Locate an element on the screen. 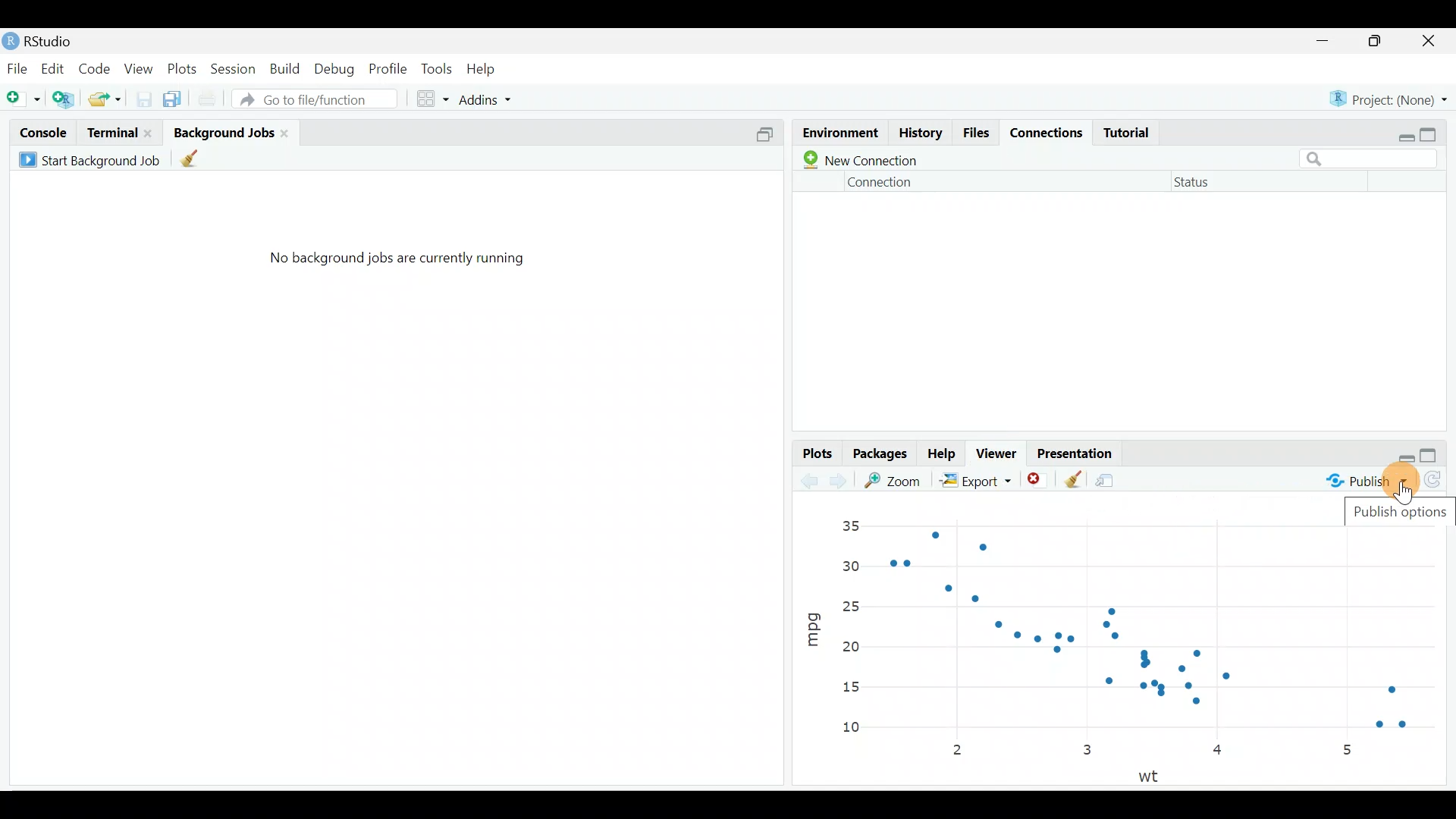  Minimize is located at coordinates (1326, 42).